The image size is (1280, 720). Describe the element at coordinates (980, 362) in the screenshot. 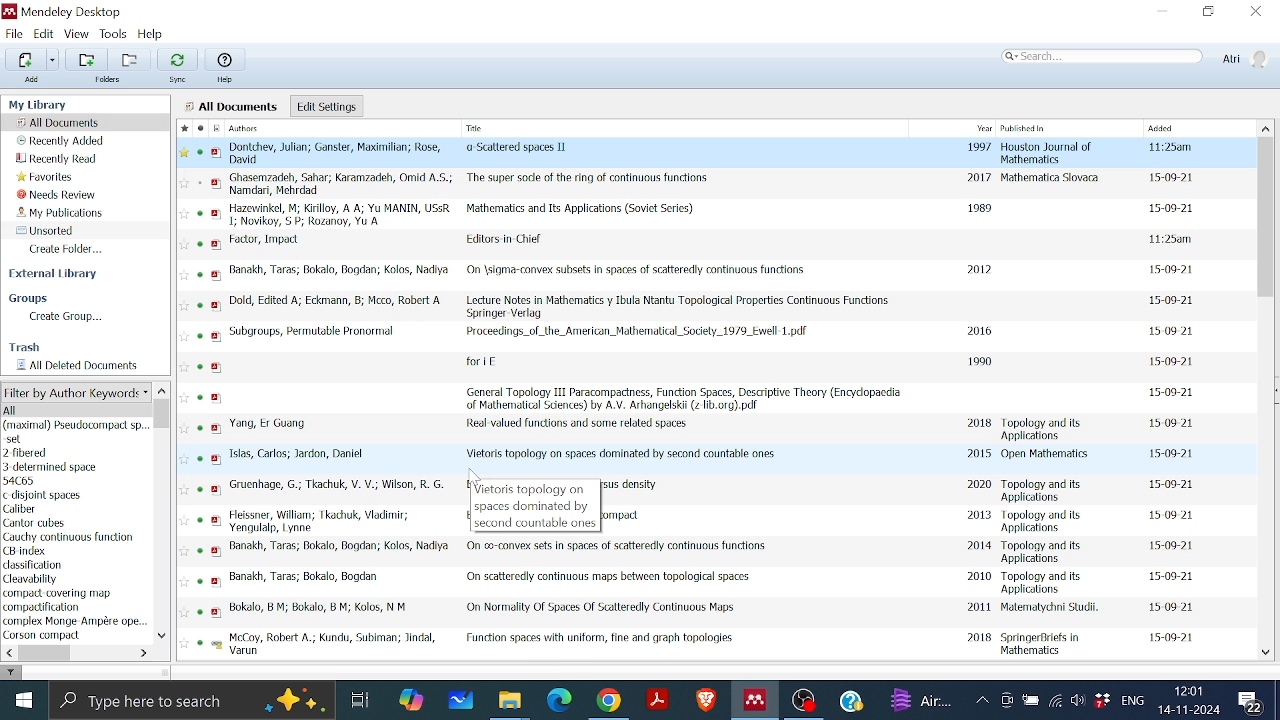

I see `1990` at that location.